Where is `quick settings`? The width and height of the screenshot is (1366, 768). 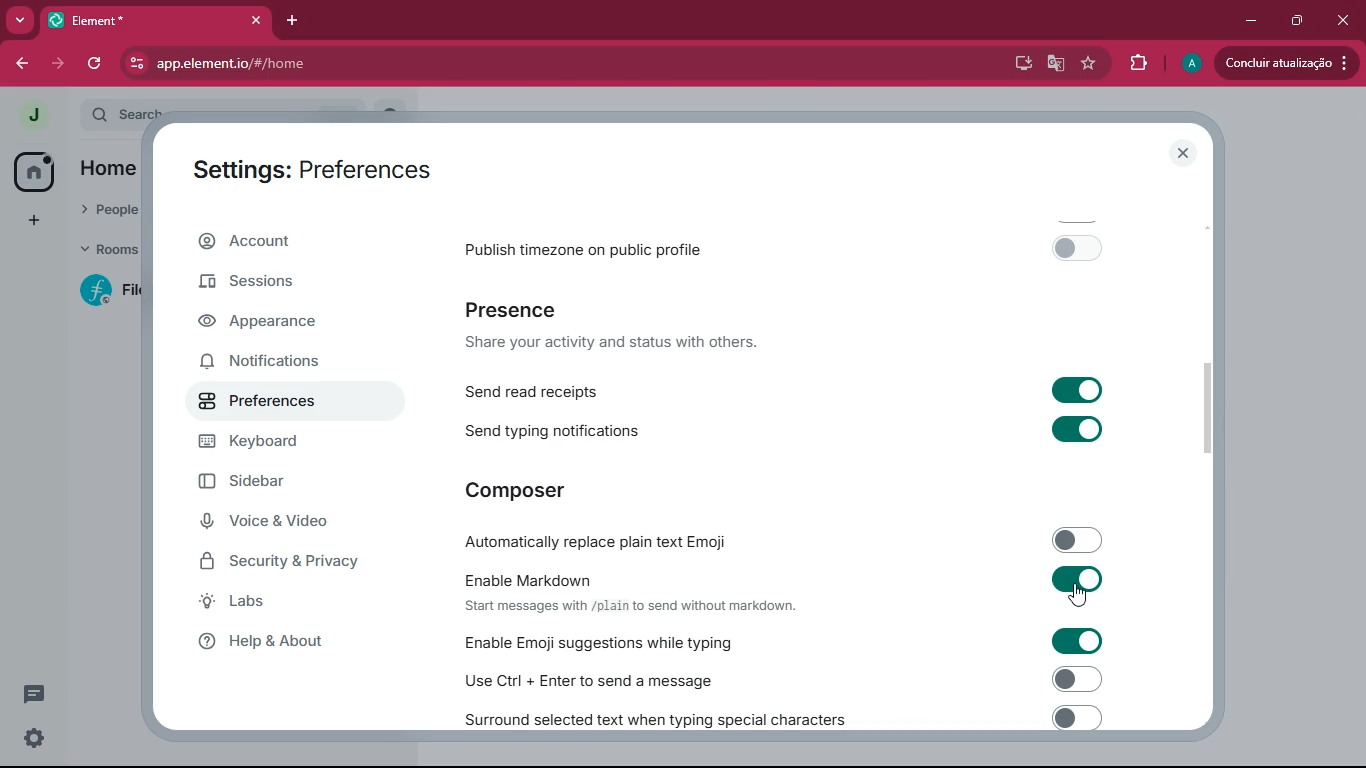
quick settings is located at coordinates (32, 740).